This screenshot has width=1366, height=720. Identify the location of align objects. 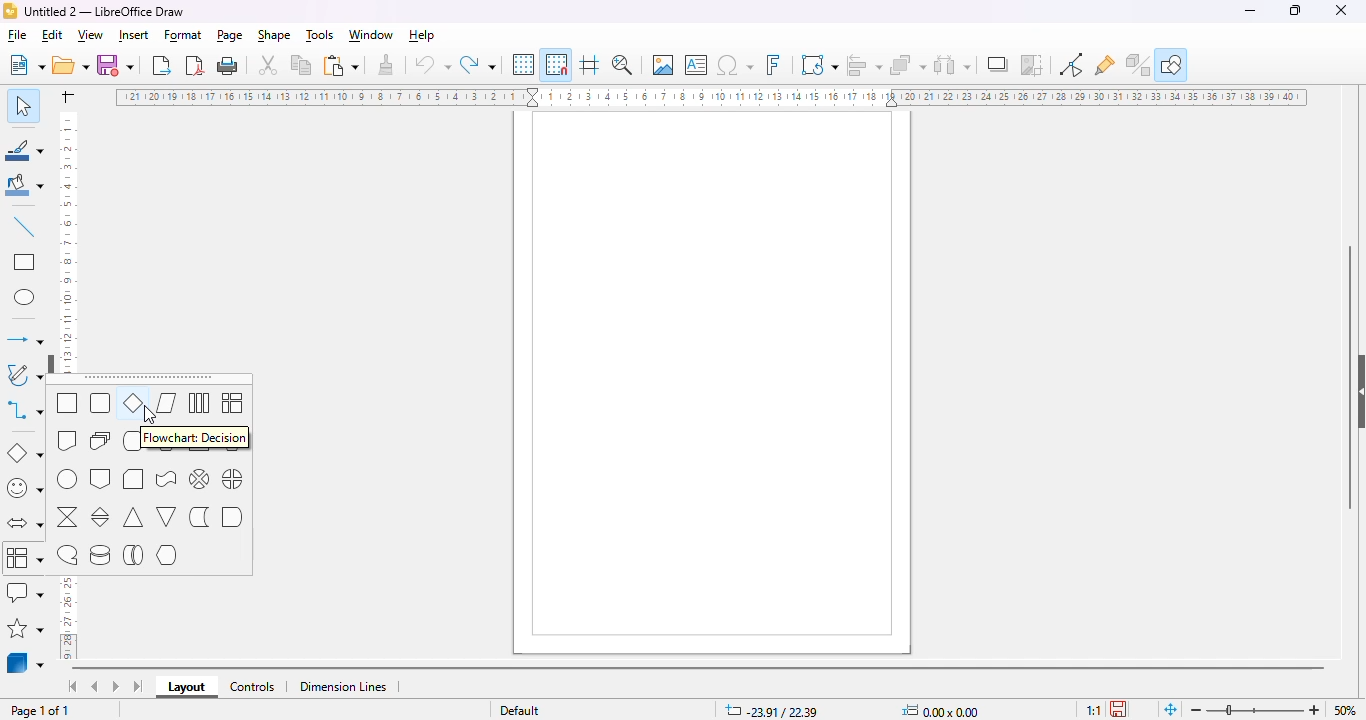
(865, 64).